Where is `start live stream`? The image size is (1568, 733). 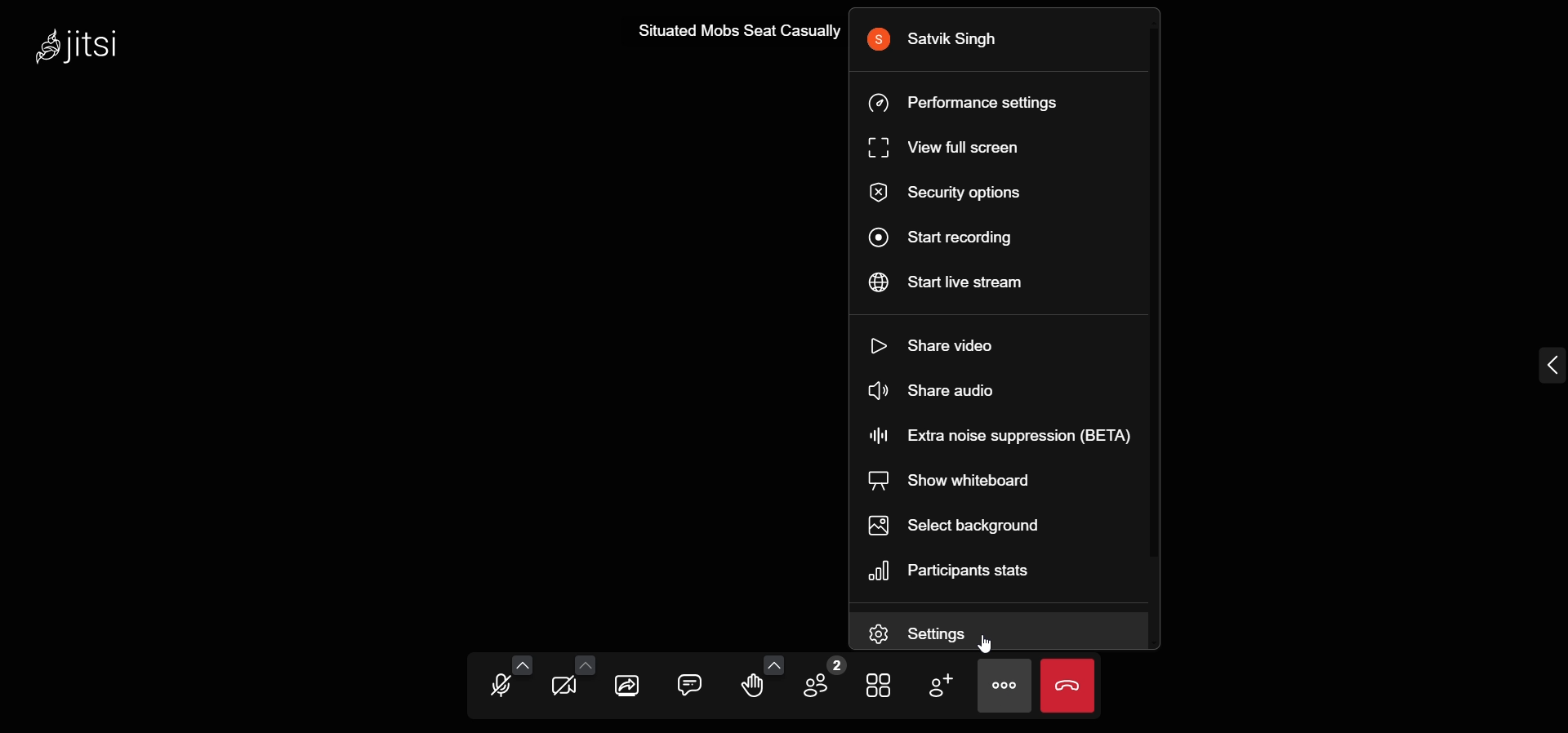
start live stream is located at coordinates (964, 286).